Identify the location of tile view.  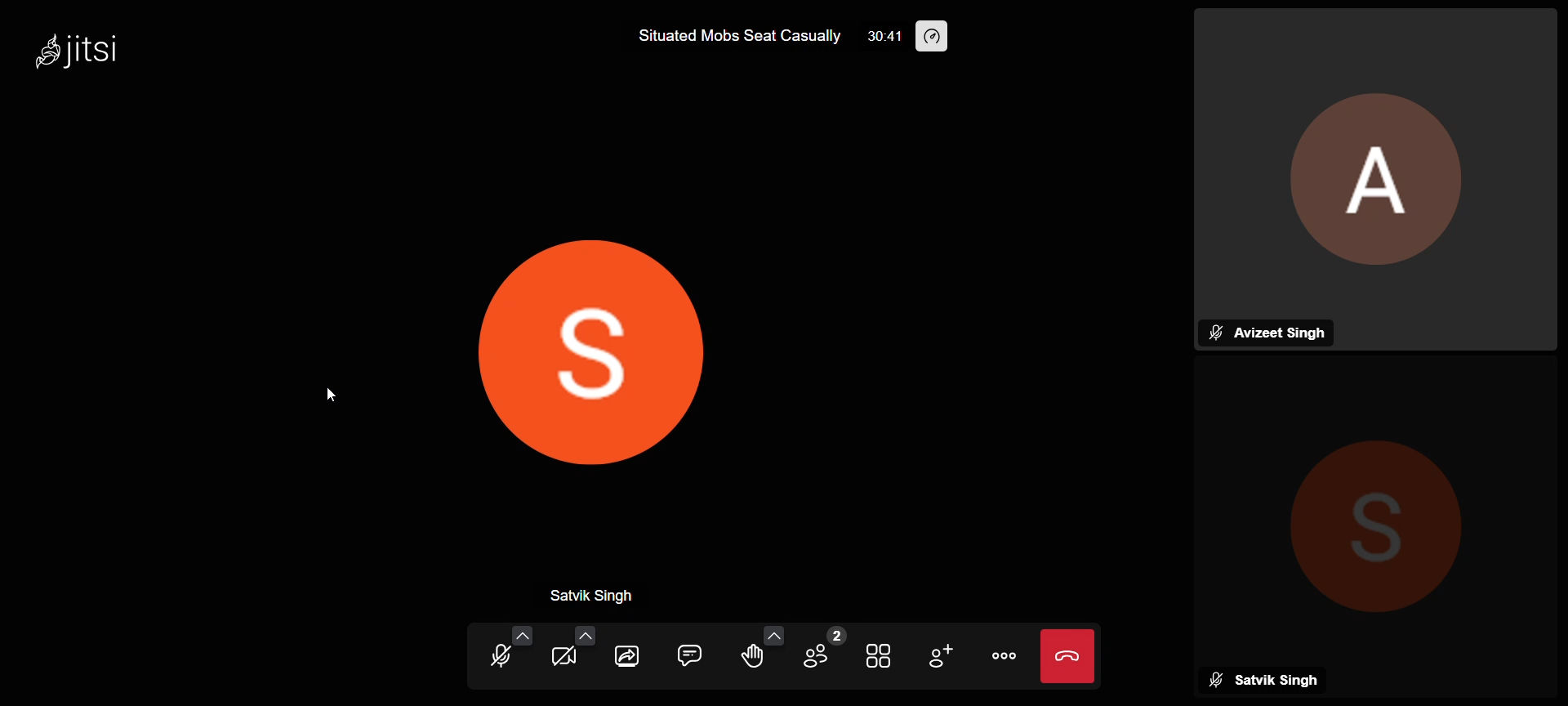
(876, 658).